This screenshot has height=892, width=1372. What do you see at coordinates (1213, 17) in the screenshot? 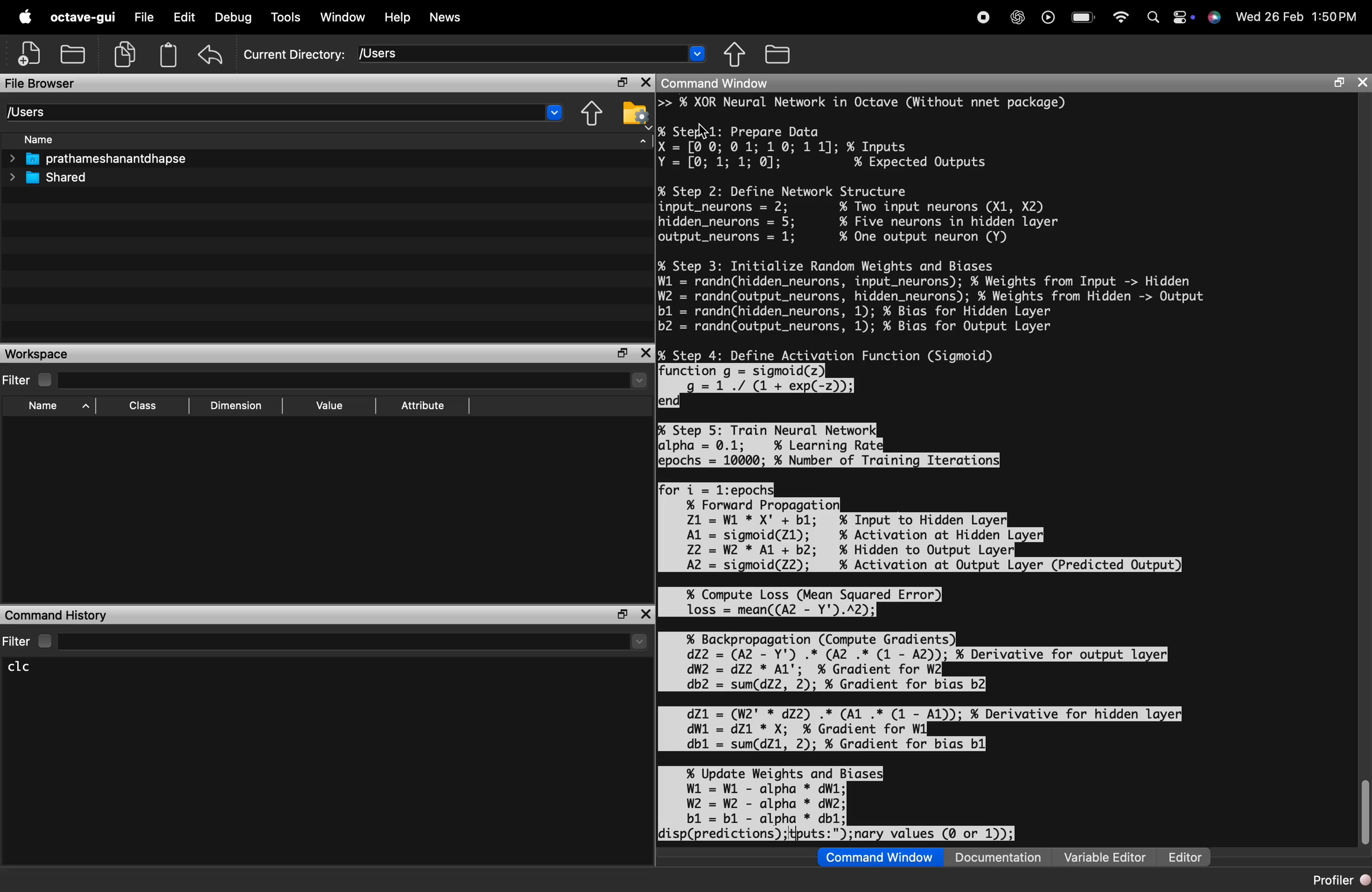
I see `Siri` at bounding box center [1213, 17].